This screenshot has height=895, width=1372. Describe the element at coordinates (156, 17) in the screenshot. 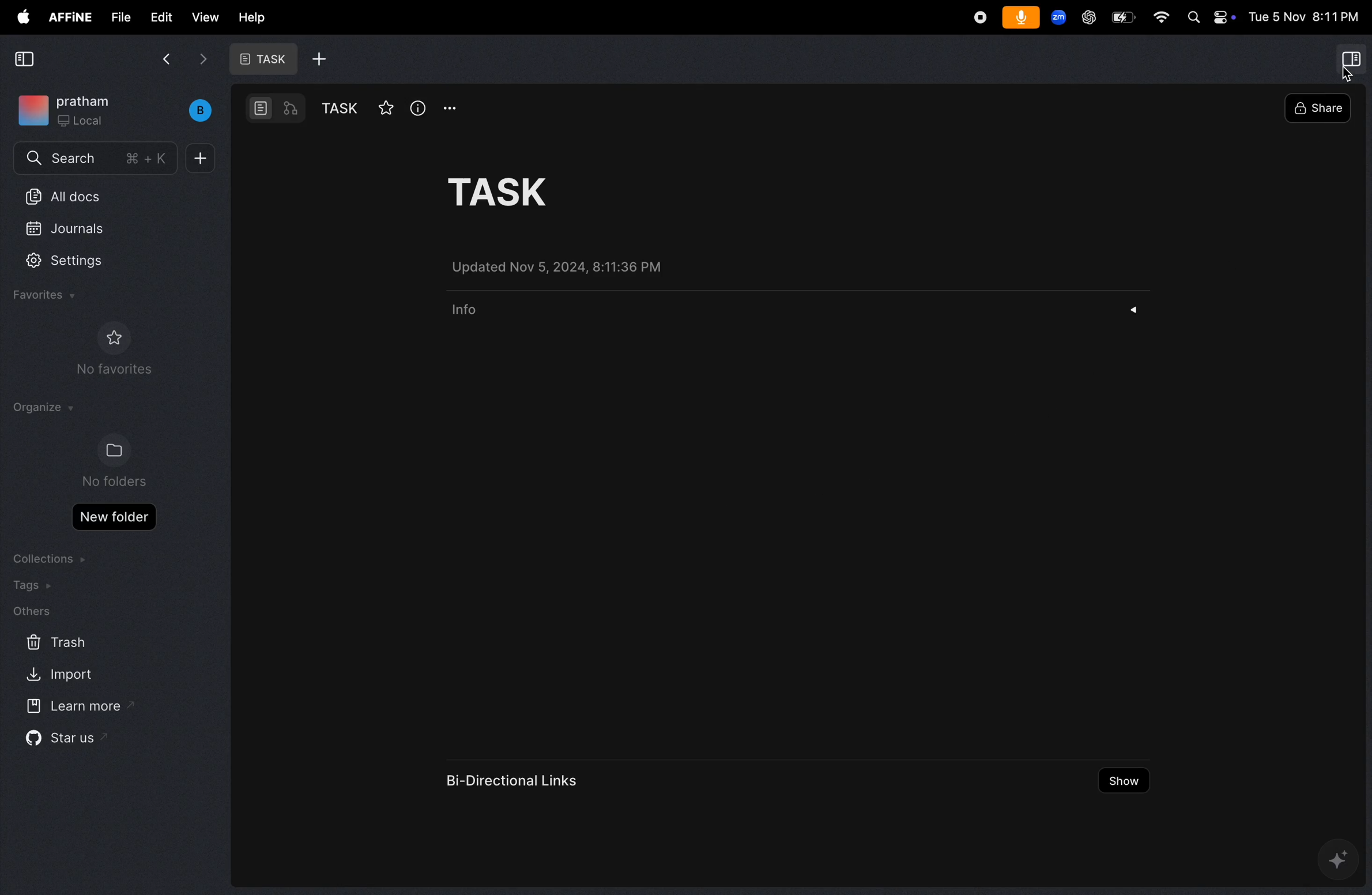

I see `edit` at that location.